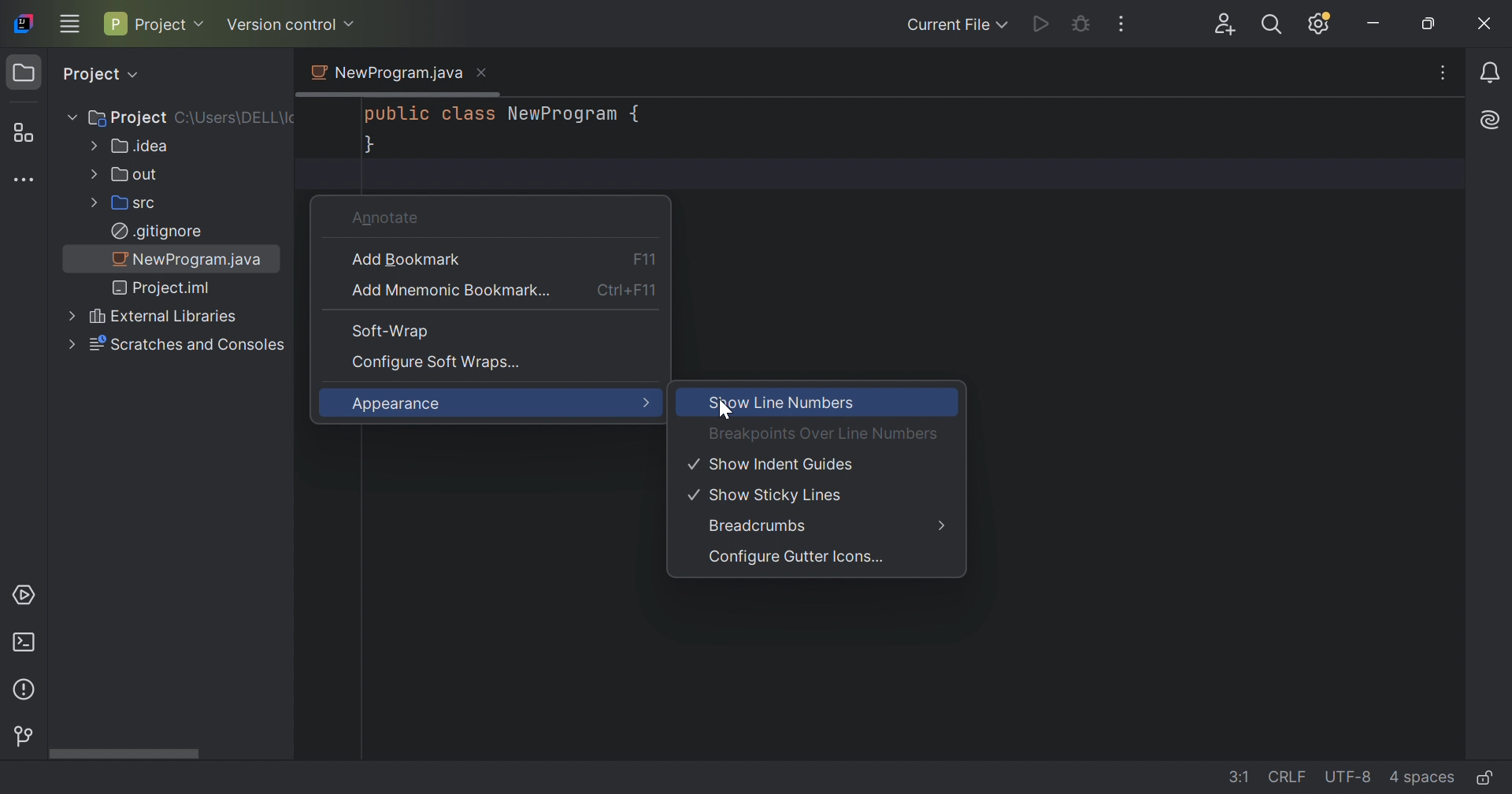 The height and width of the screenshot is (794, 1512). I want to click on External Libraries, so click(164, 317).